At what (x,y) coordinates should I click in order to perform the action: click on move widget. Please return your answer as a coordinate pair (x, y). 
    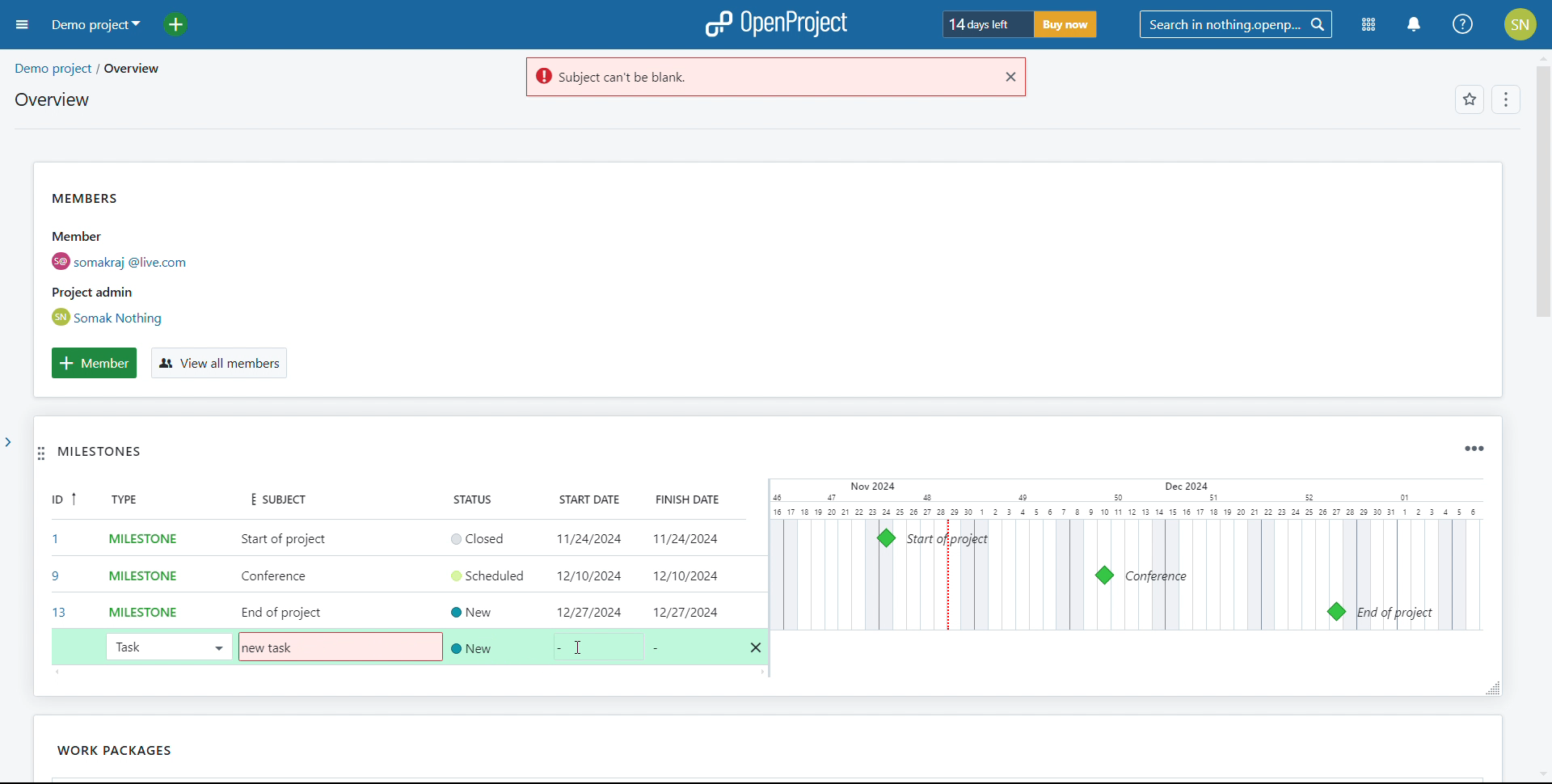
    Looking at the image, I should click on (41, 455).